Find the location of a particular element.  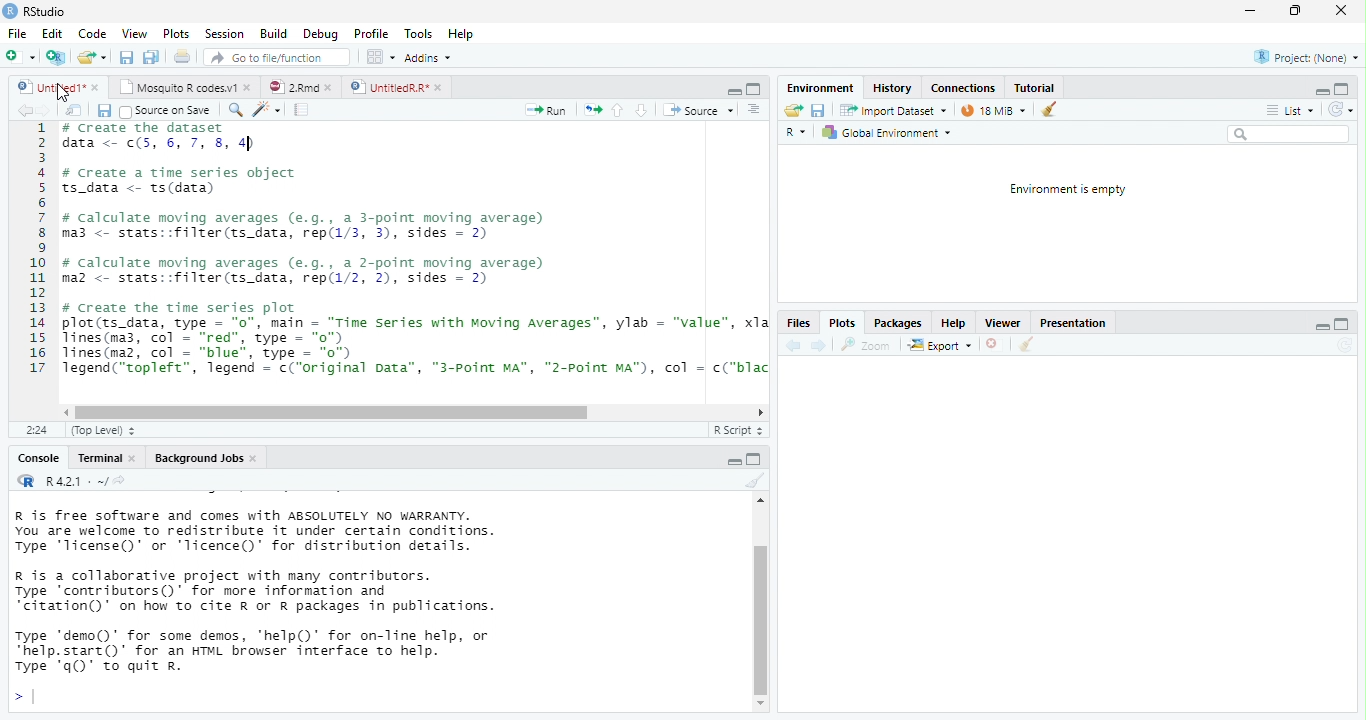

save is located at coordinates (103, 111).